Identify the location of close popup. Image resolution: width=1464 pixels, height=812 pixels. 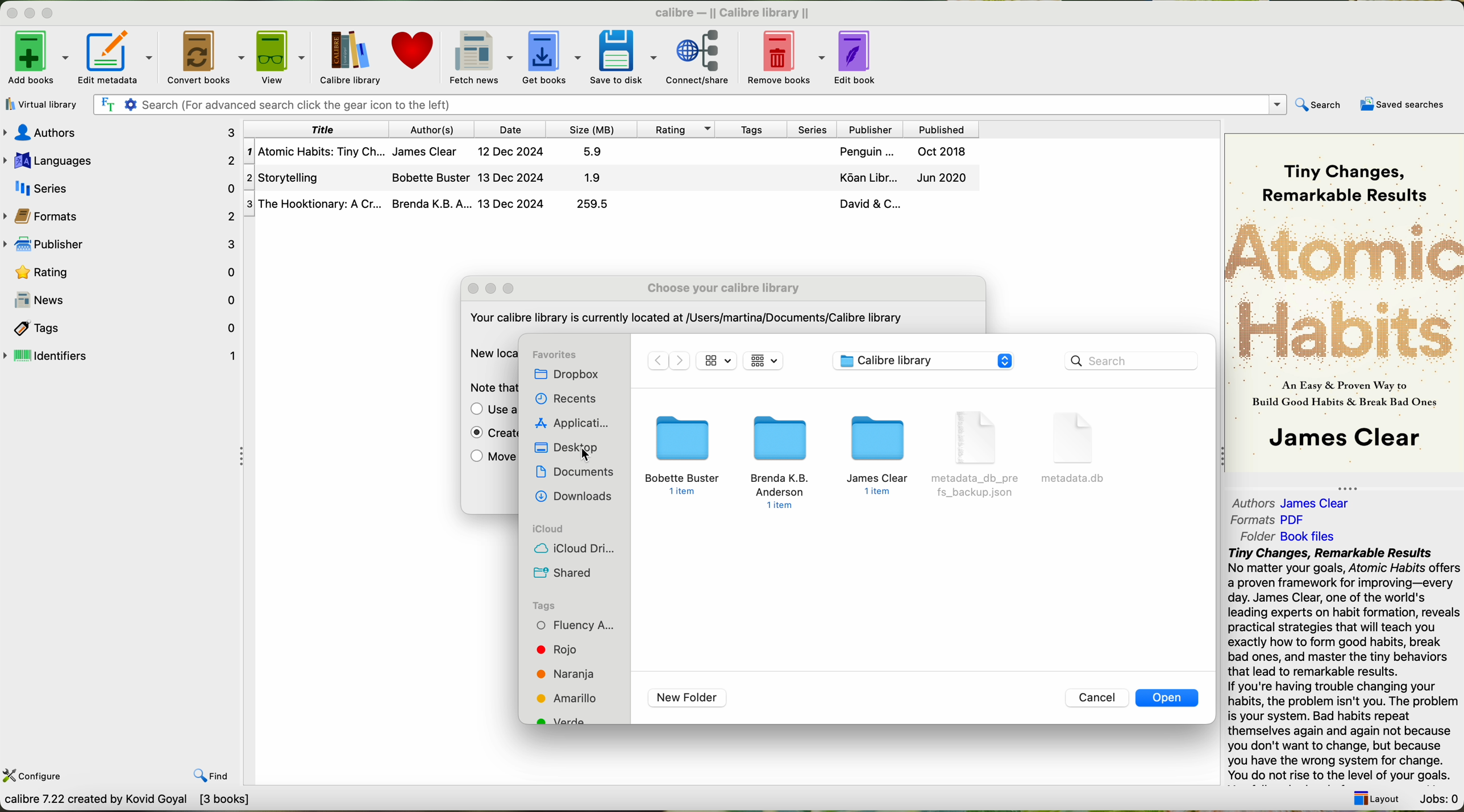
(474, 289).